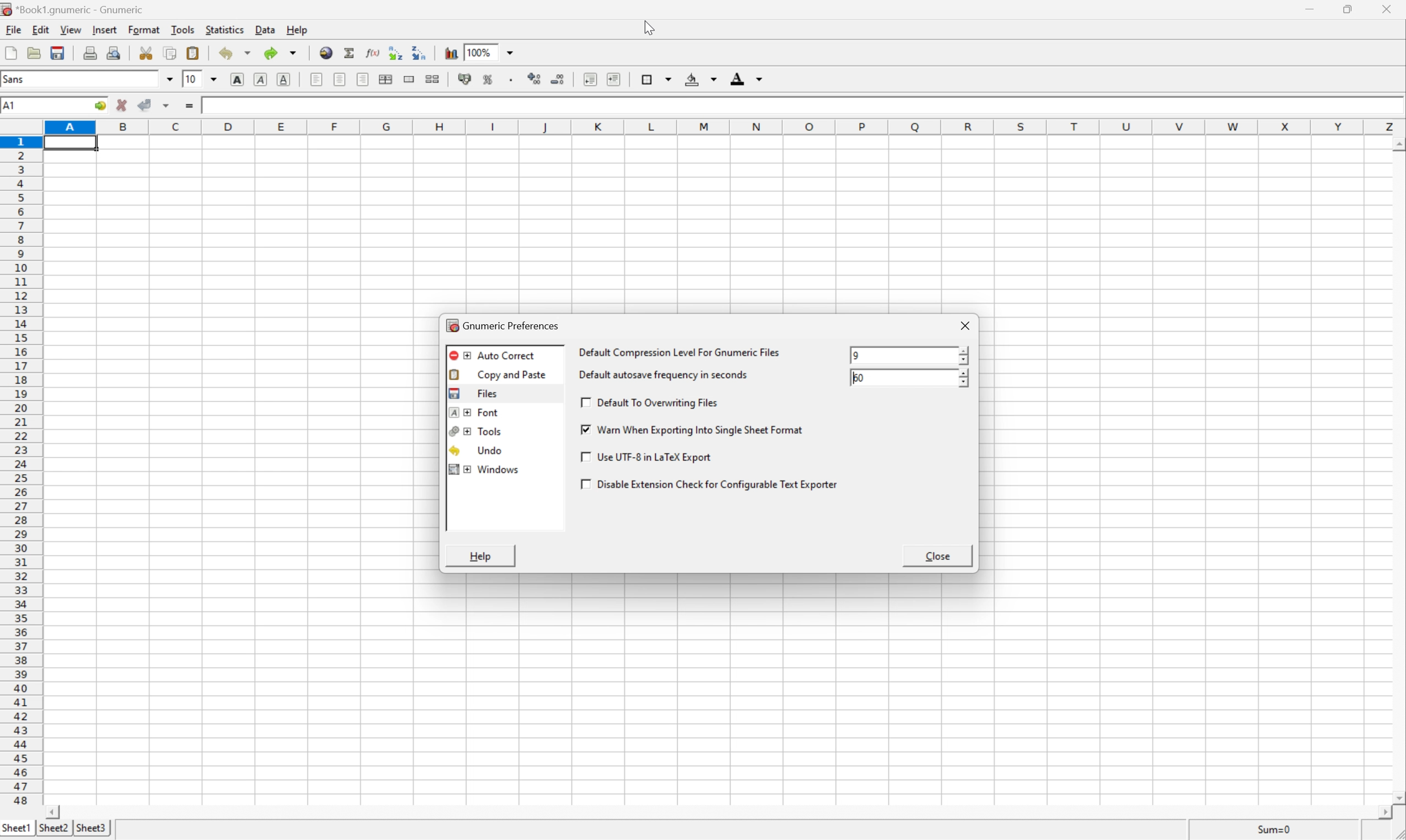  What do you see at coordinates (224, 31) in the screenshot?
I see `statistics` at bounding box center [224, 31].